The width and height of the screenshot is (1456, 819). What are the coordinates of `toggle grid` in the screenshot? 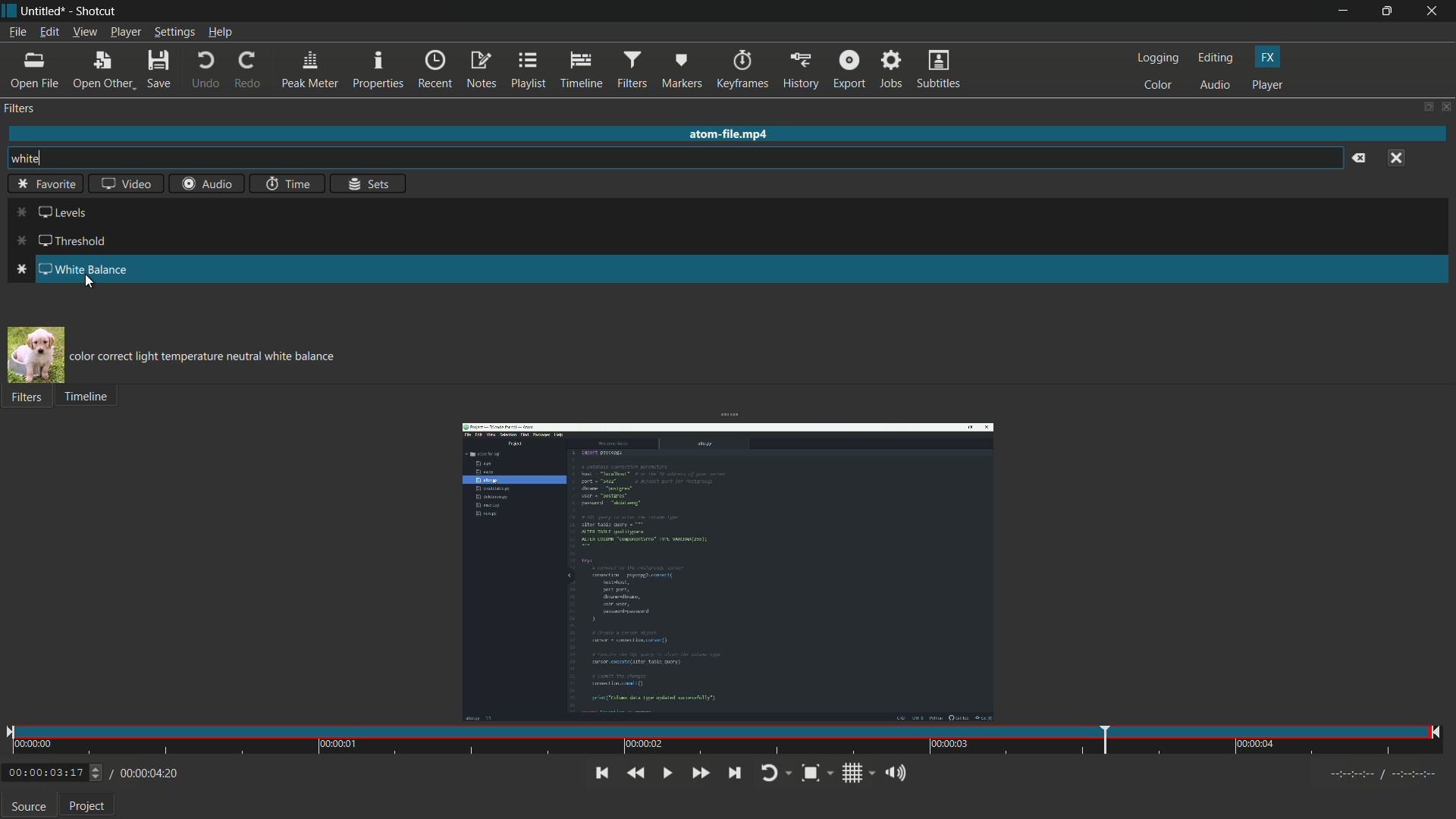 It's located at (858, 773).